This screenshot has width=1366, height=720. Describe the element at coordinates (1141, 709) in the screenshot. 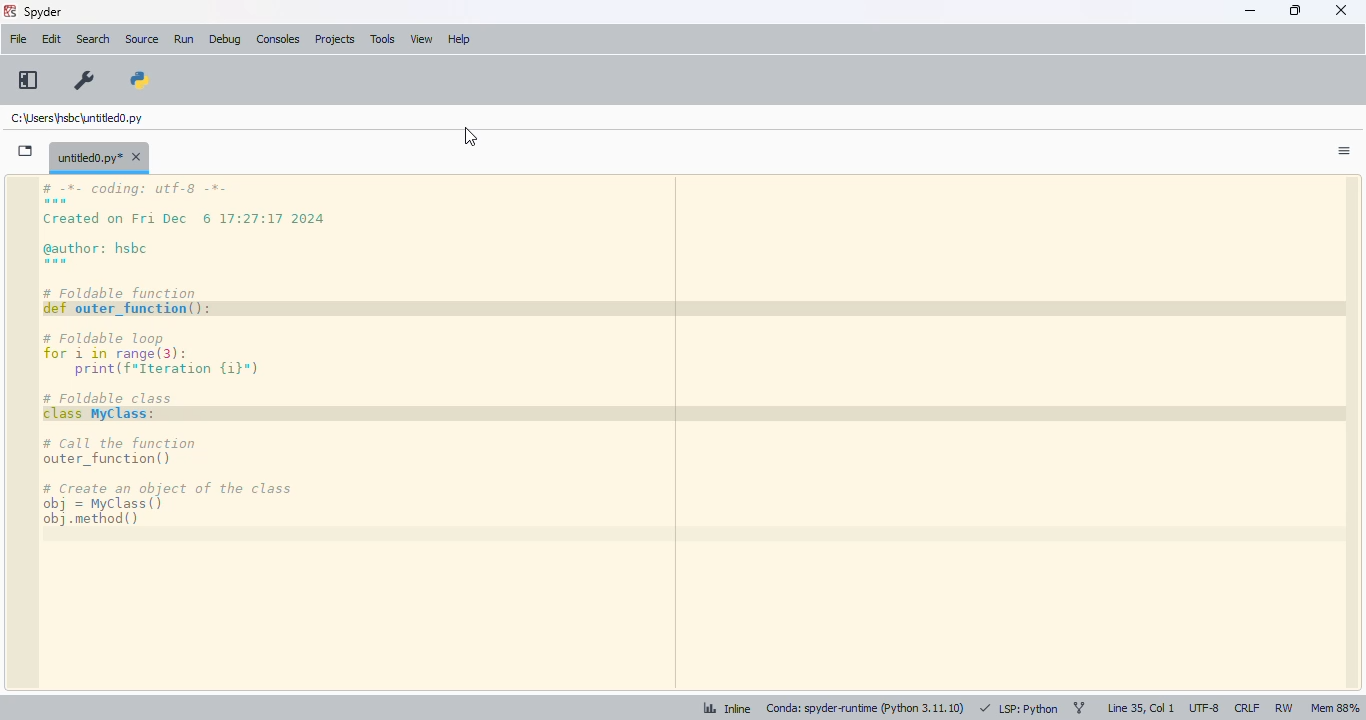

I see `line 35, col 1` at that location.